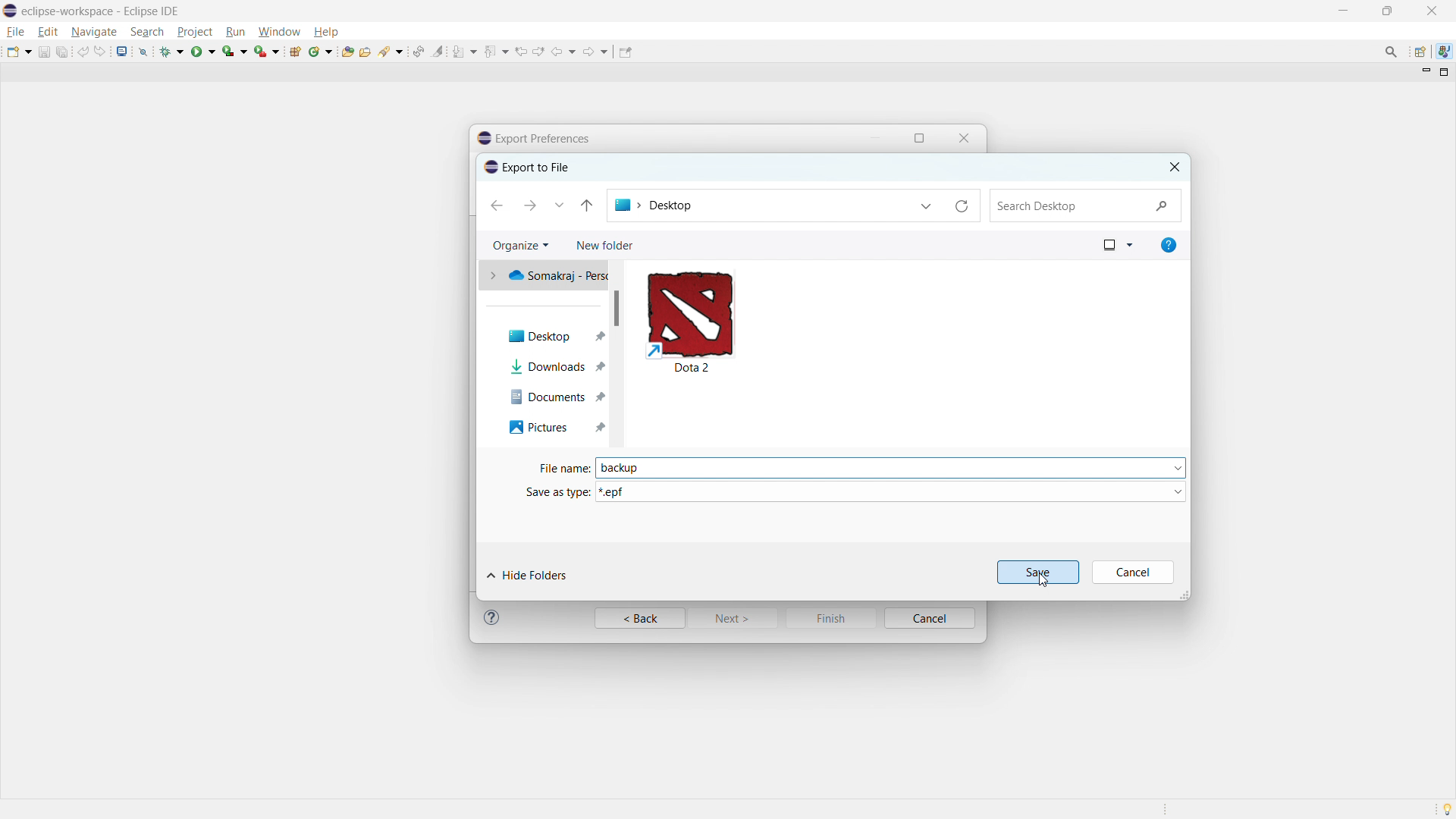 This screenshot has height=819, width=1456. What do you see at coordinates (968, 136) in the screenshot?
I see `Close` at bounding box center [968, 136].